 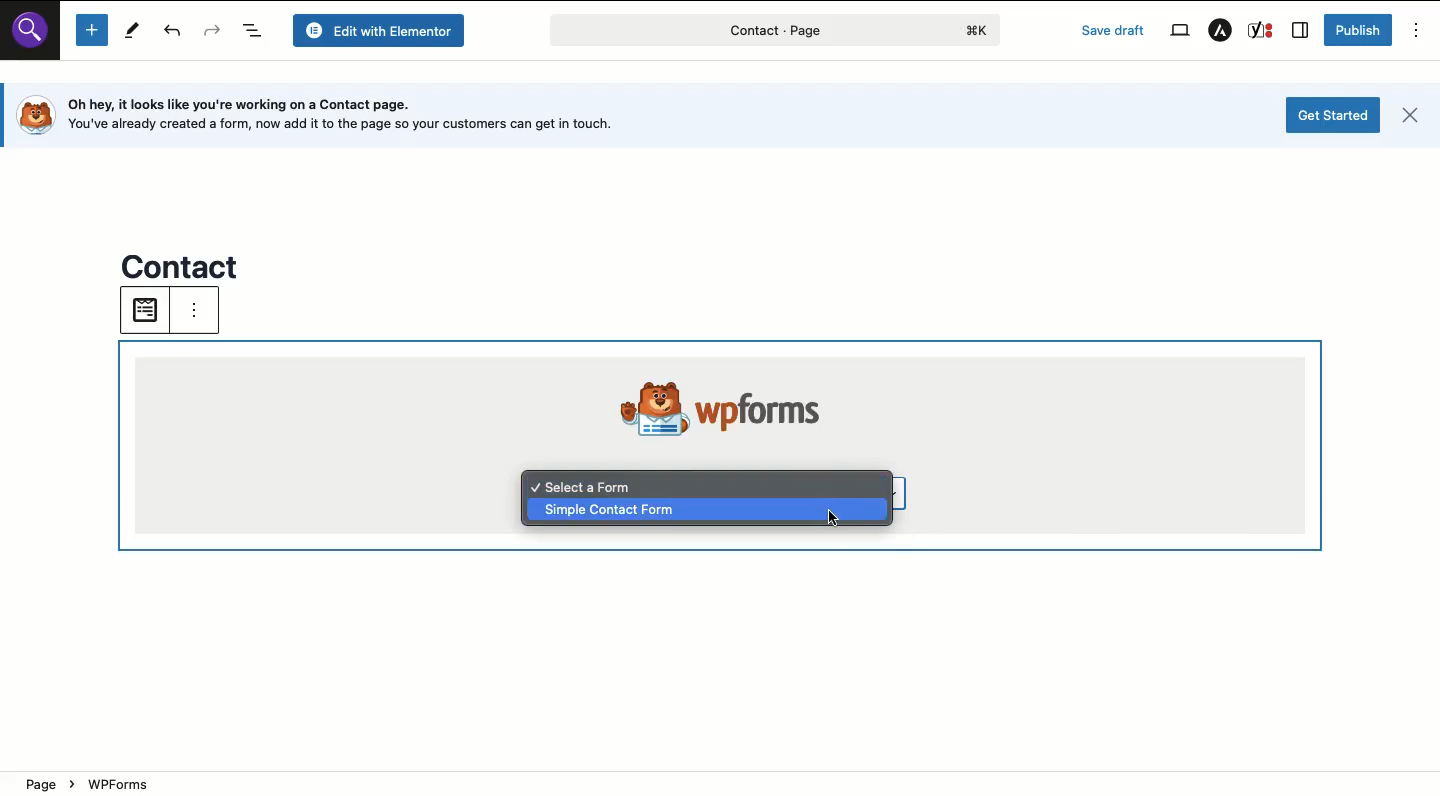 I want to click on cursor, so click(x=836, y=523).